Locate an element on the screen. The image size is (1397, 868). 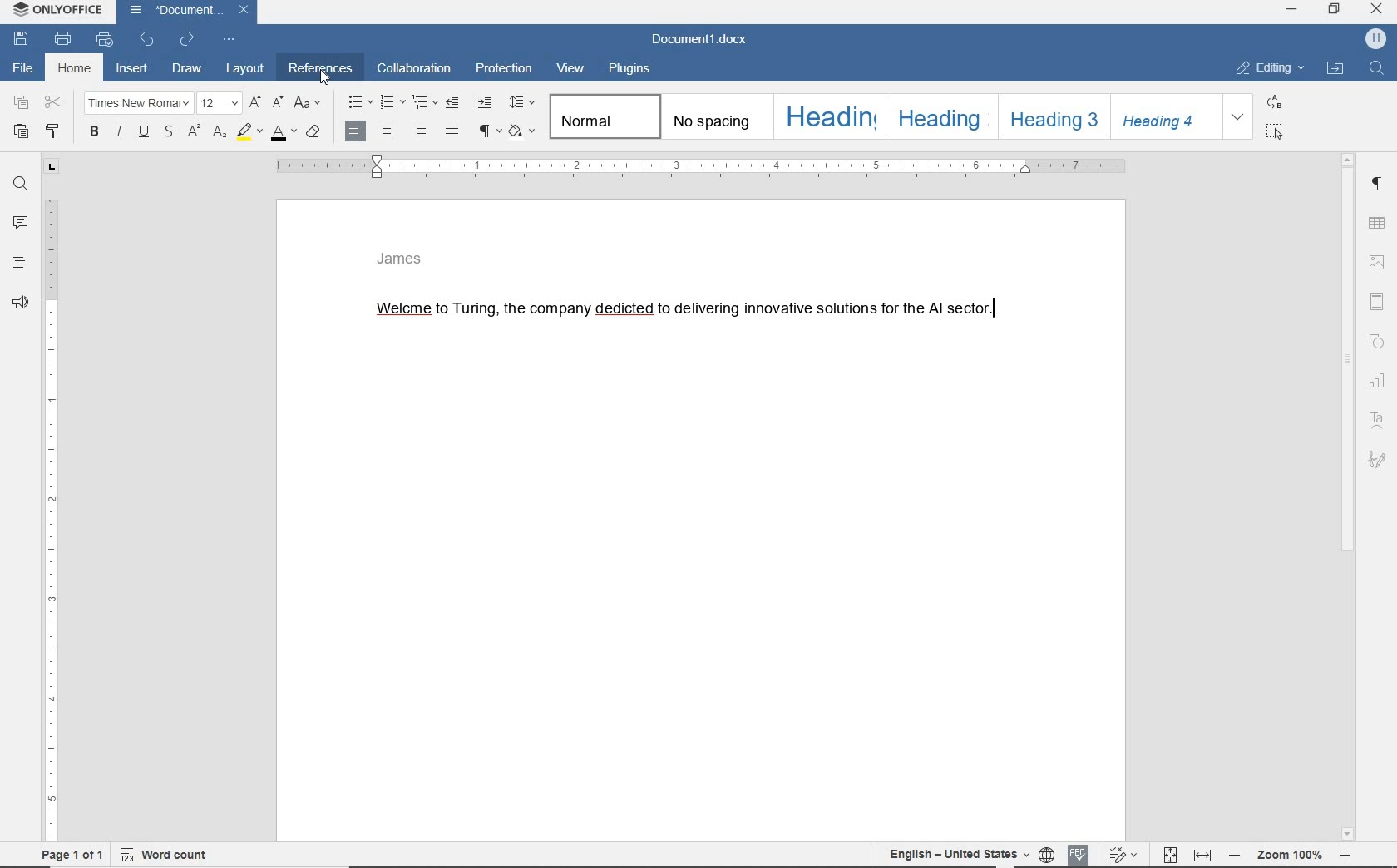
collaboration is located at coordinates (413, 70).